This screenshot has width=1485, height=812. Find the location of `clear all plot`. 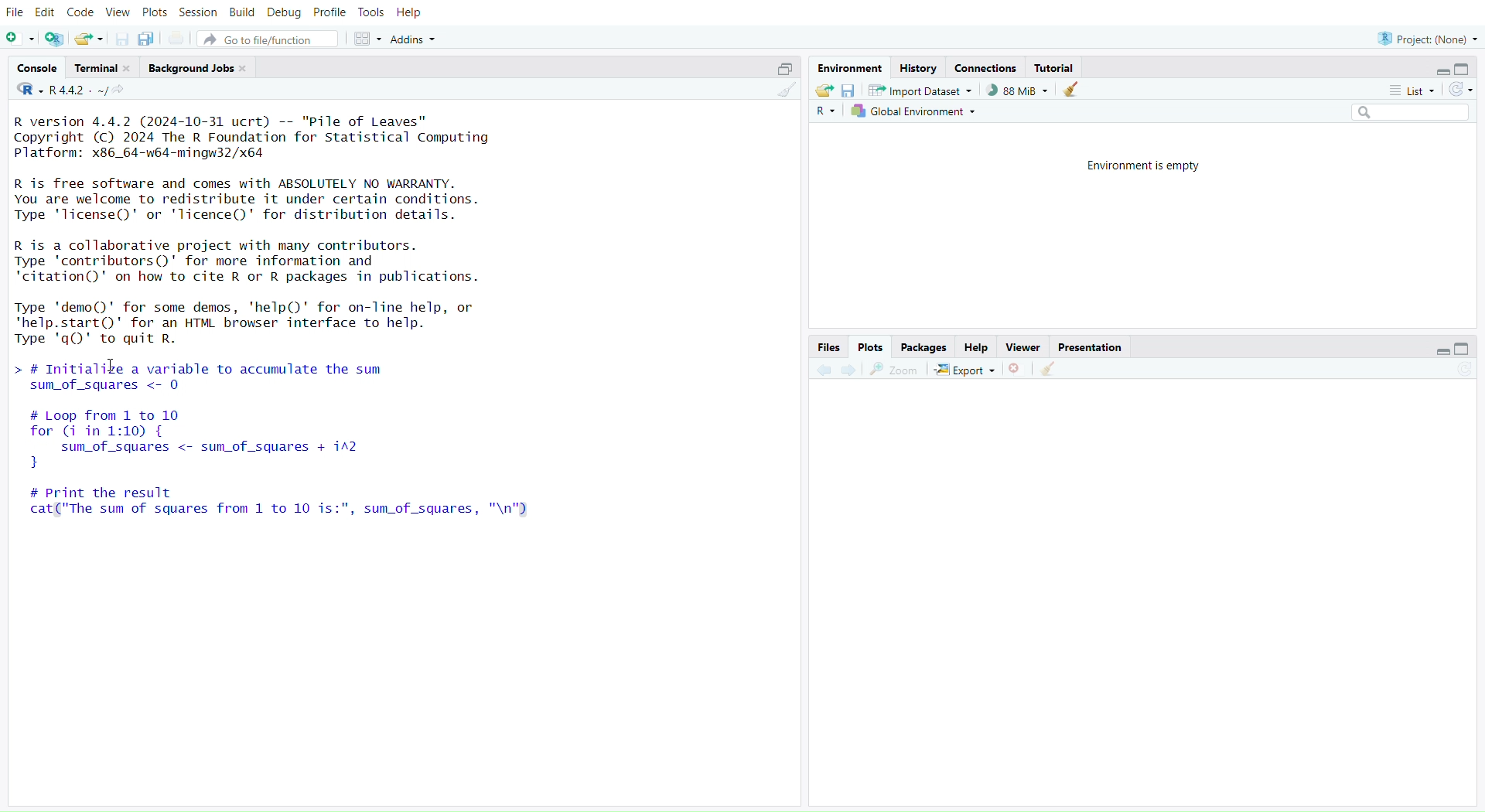

clear all plot is located at coordinates (1047, 369).